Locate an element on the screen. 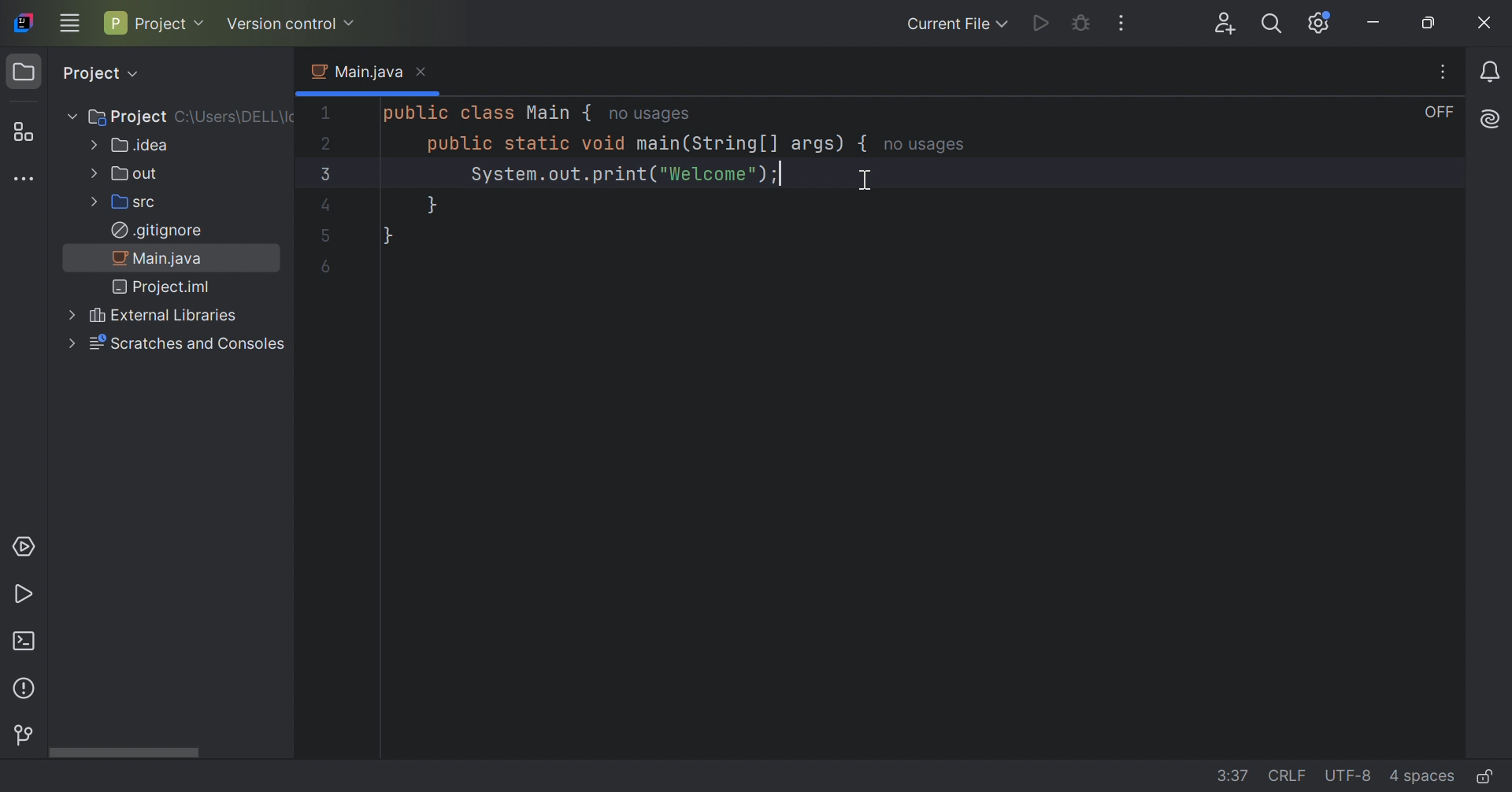 The width and height of the screenshot is (1512, 792). Problems is located at coordinates (26, 691).